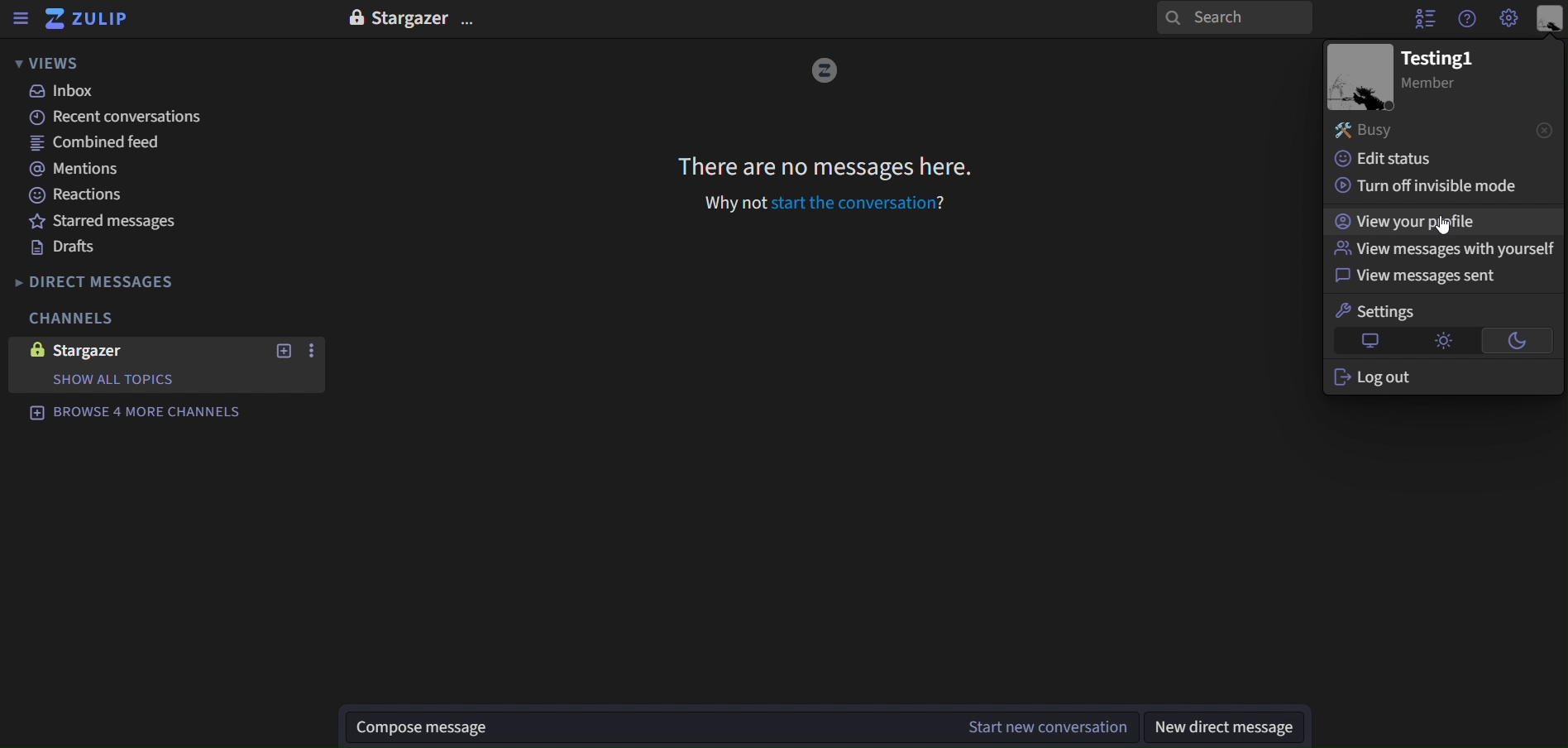  I want to click on direct messages, so click(103, 280).